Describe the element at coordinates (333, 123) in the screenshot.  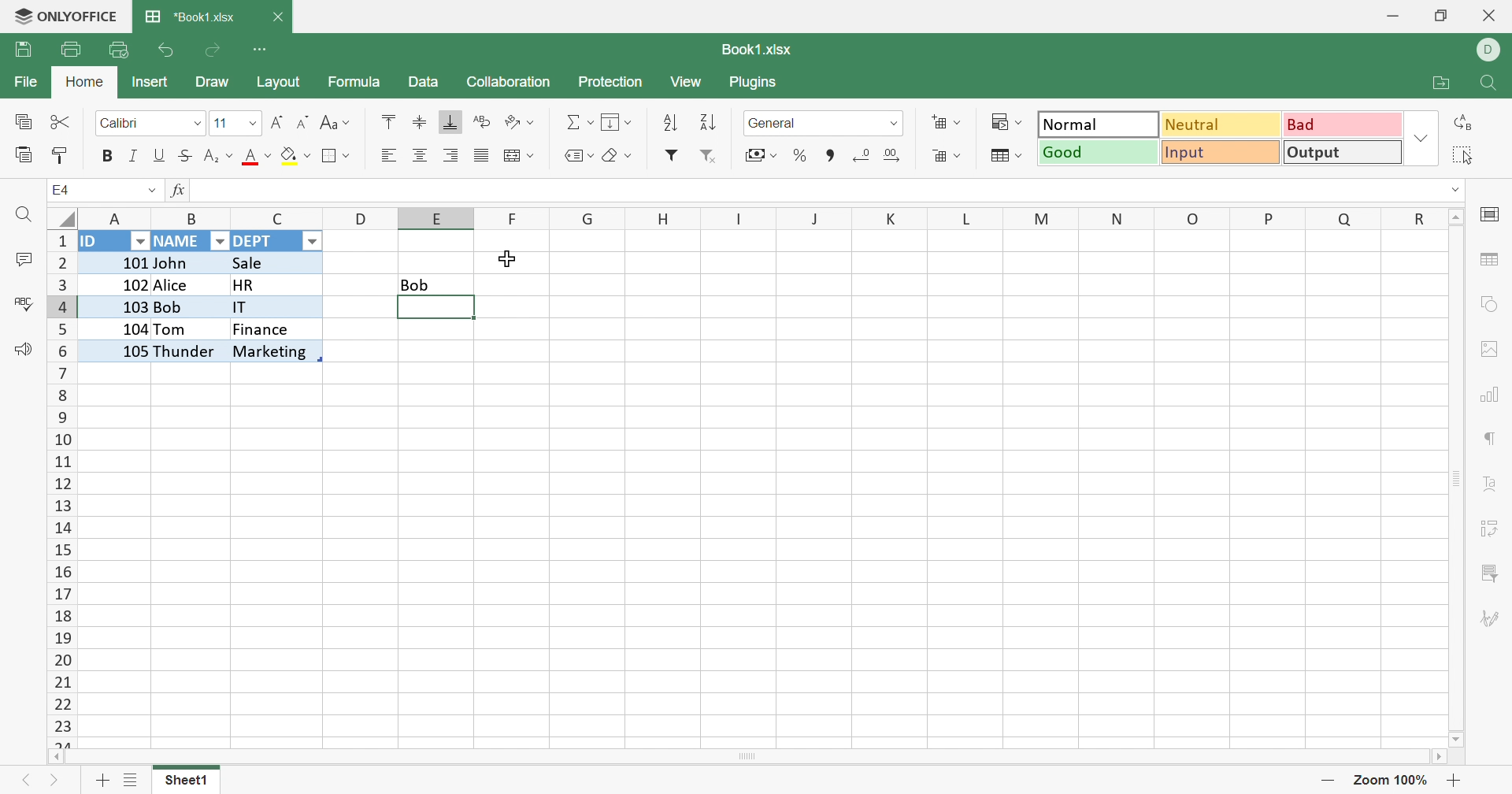
I see `Change case` at that location.